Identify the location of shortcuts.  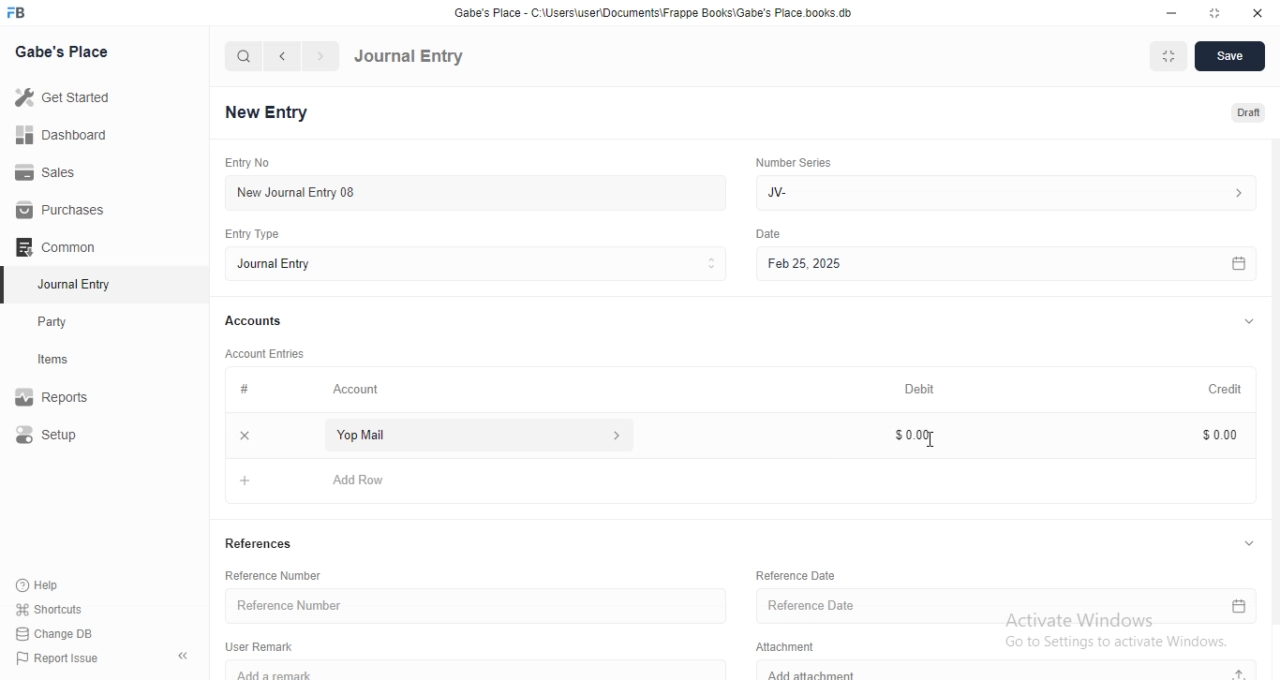
(62, 608).